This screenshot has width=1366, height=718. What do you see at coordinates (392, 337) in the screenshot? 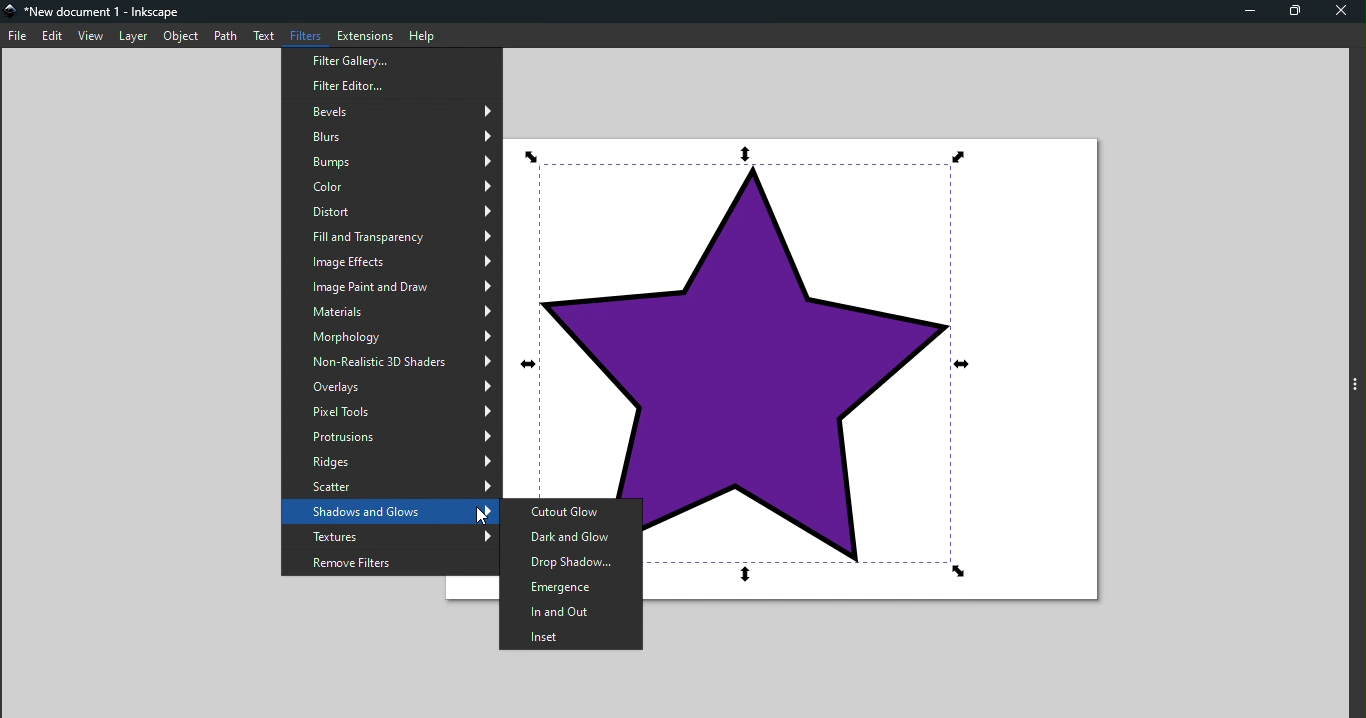
I see `Morphology` at bounding box center [392, 337].